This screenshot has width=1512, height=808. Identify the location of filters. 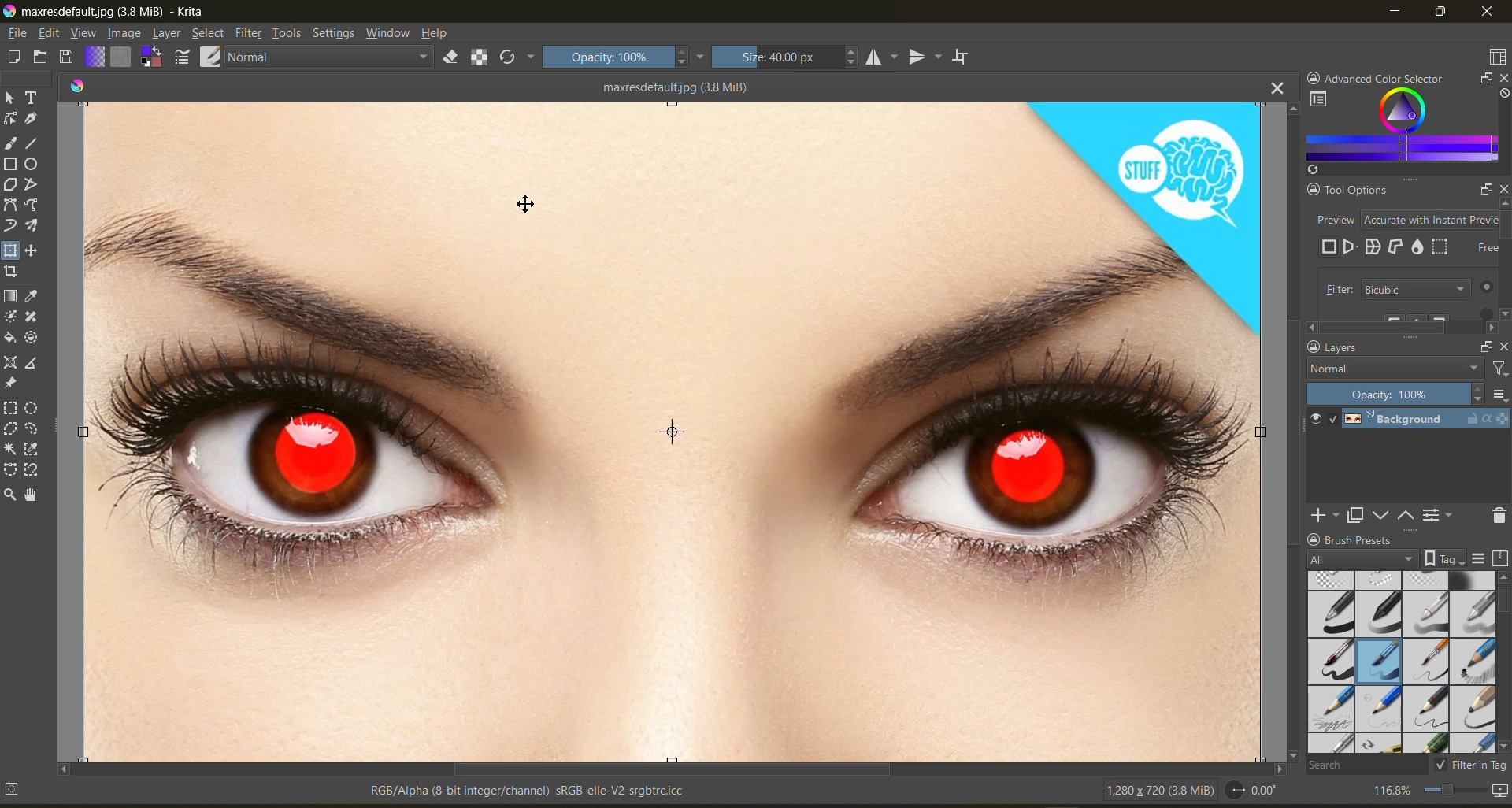
(250, 34).